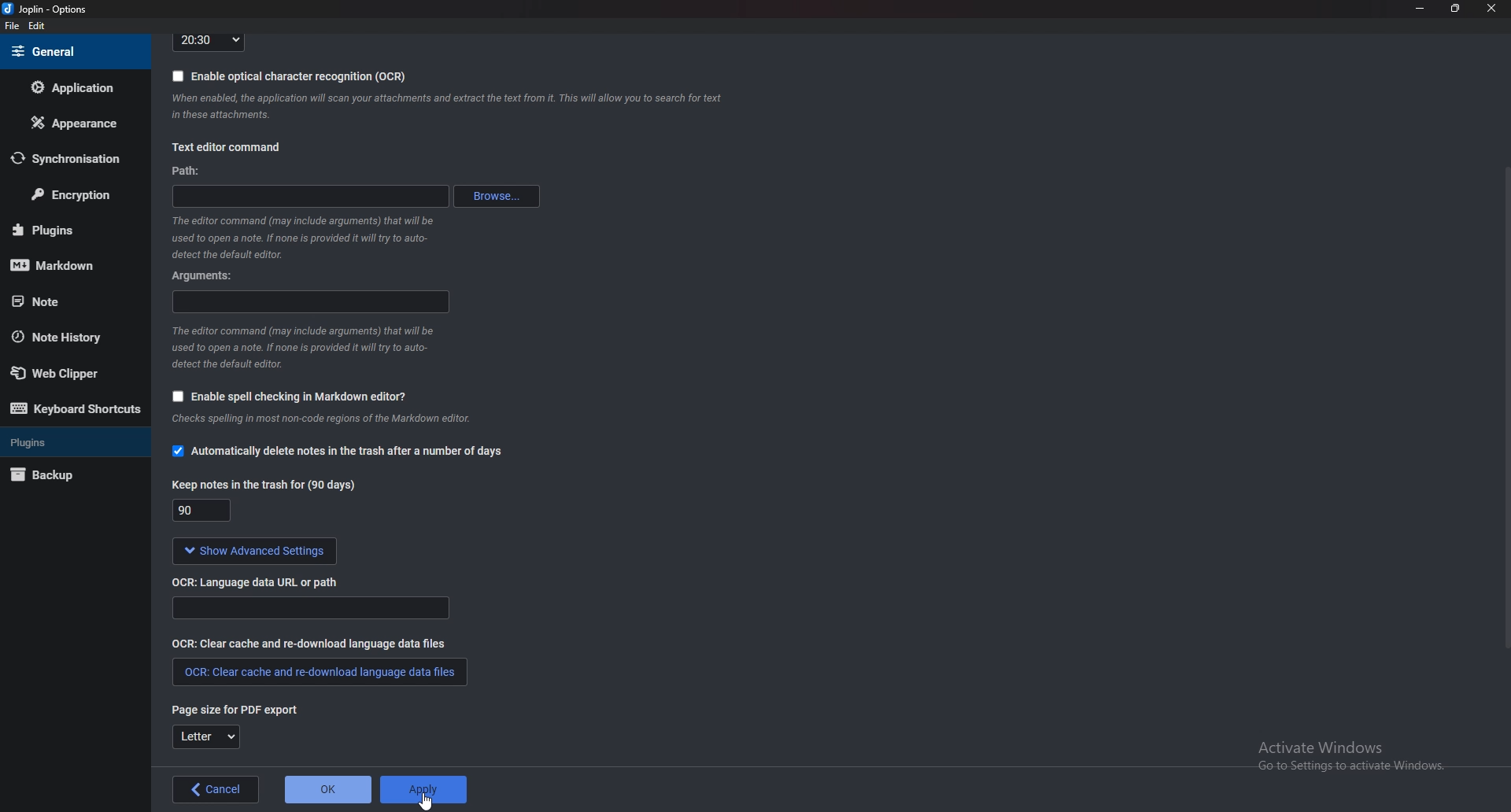 The height and width of the screenshot is (812, 1511). What do you see at coordinates (226, 149) in the screenshot?
I see `text editor command` at bounding box center [226, 149].